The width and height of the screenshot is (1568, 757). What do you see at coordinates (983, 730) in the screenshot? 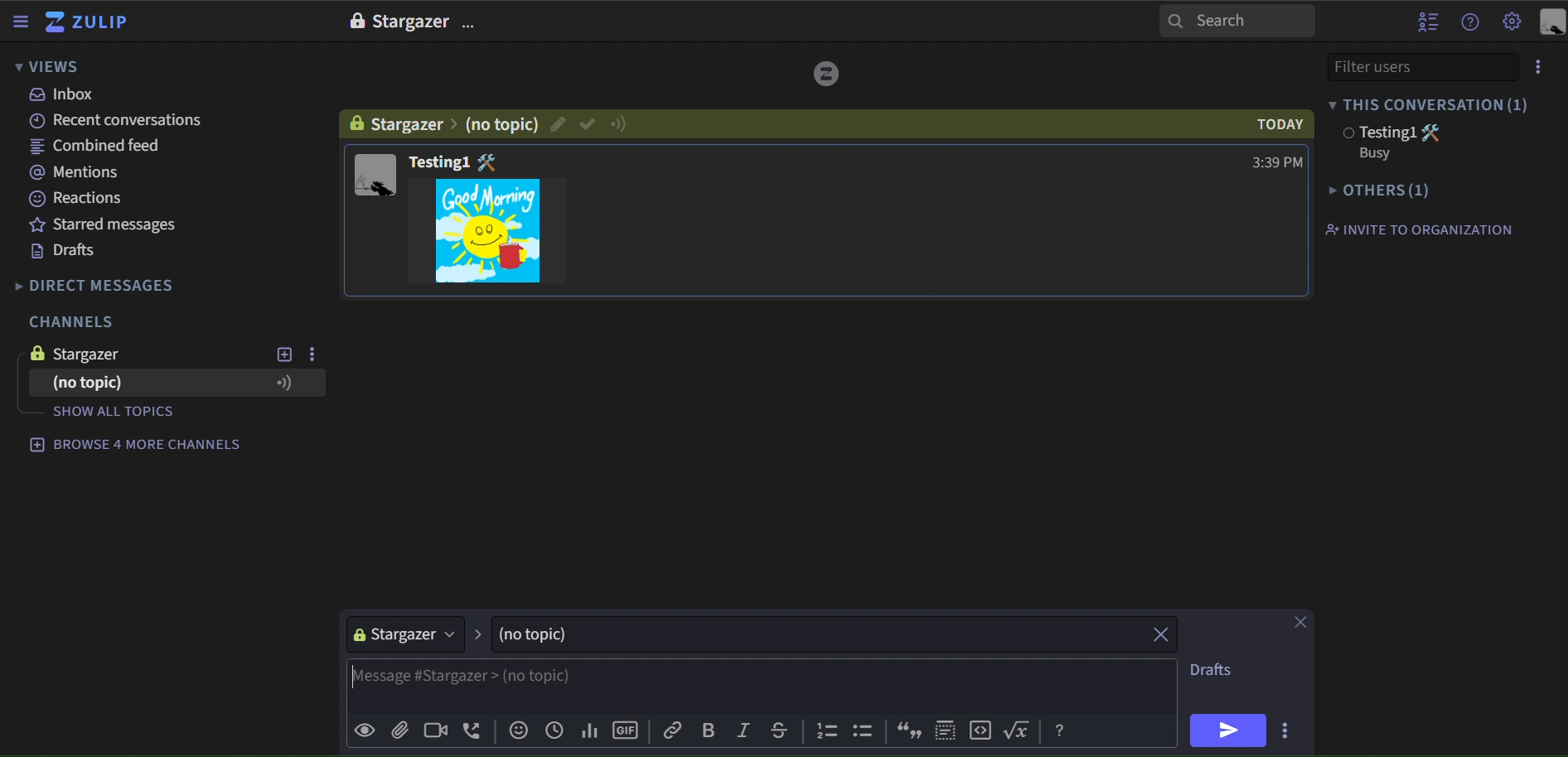
I see `icon` at bounding box center [983, 730].